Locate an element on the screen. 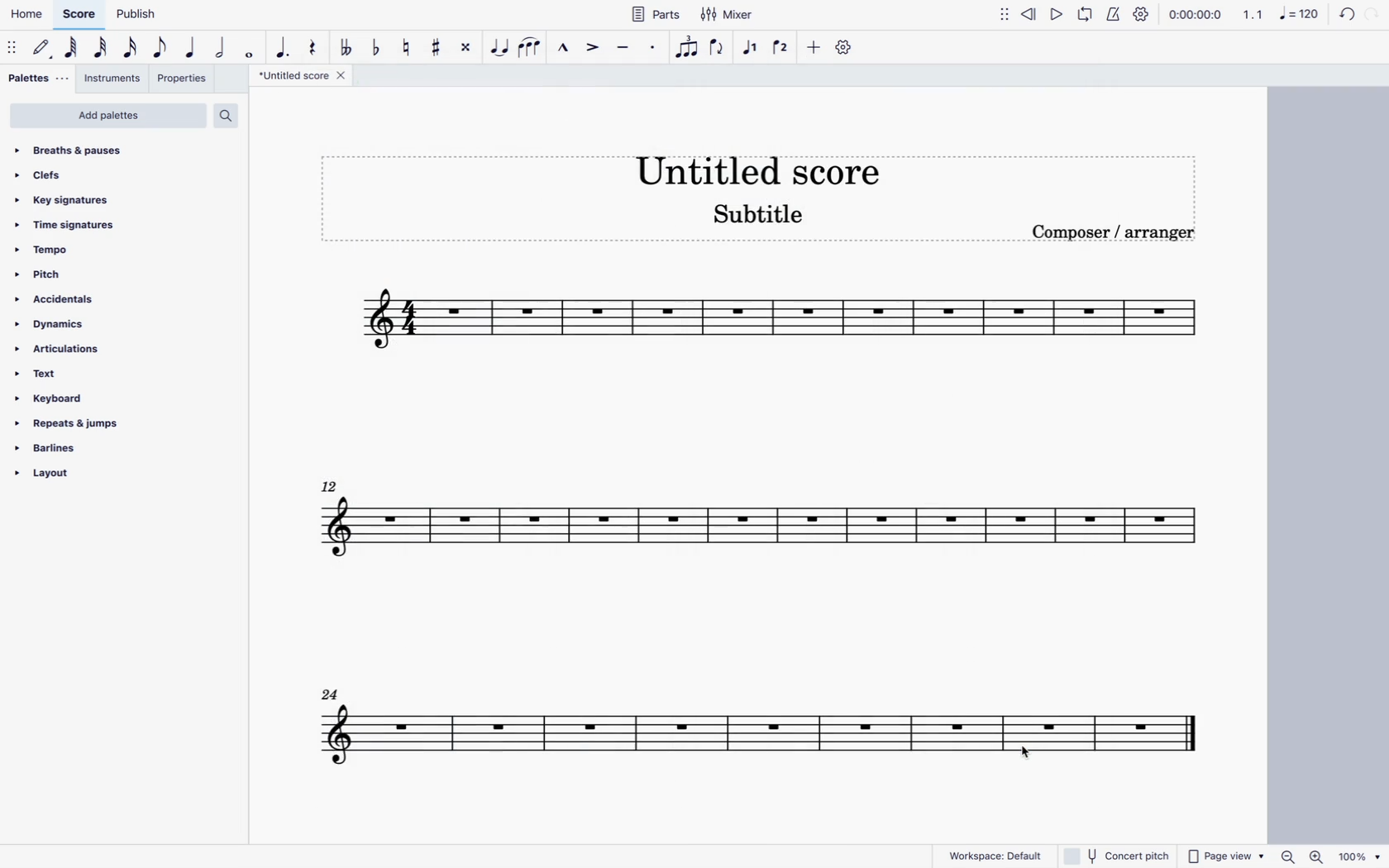   is located at coordinates (1119, 855).